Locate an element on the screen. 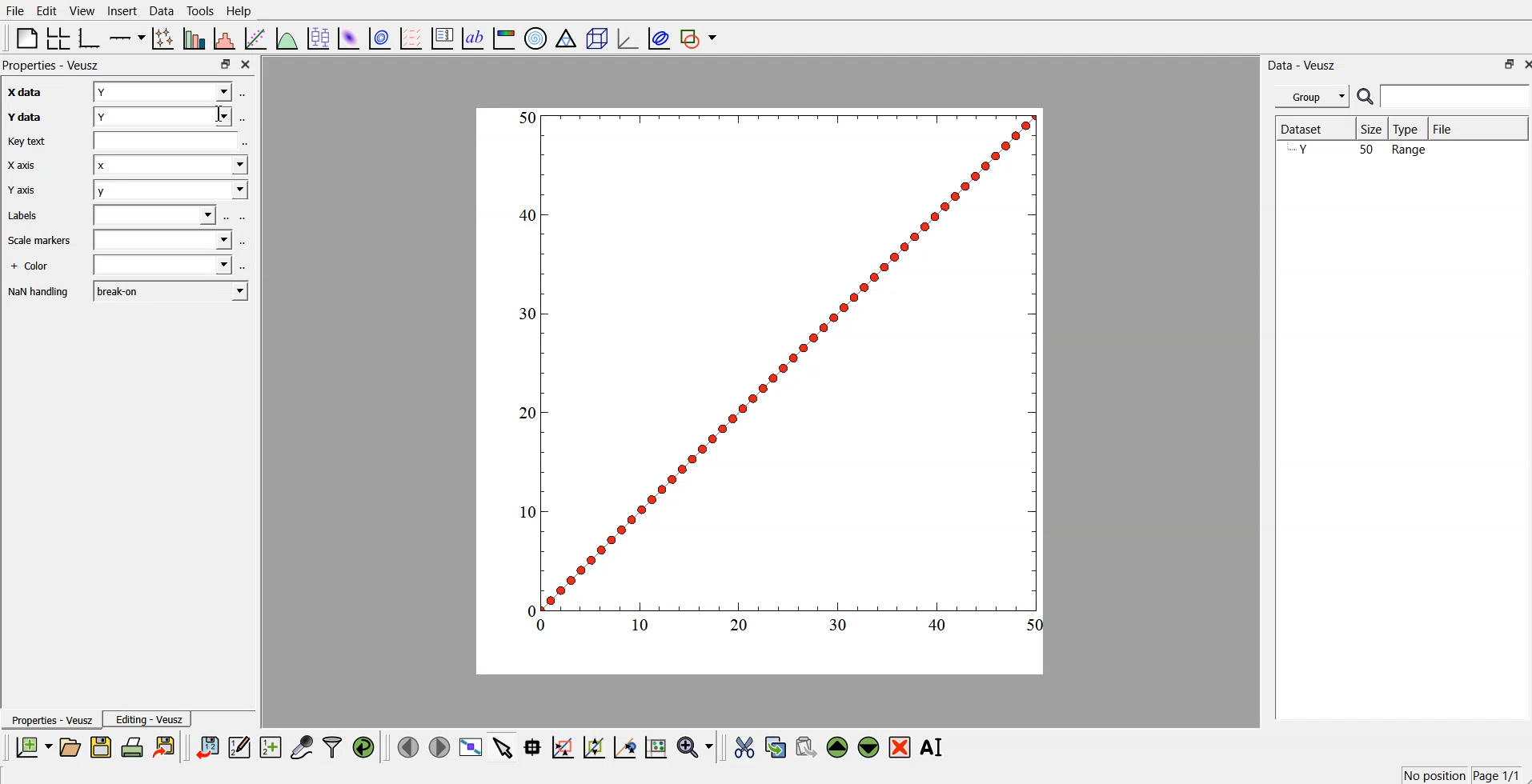 This screenshot has width=1532, height=784. select items is located at coordinates (502, 749).